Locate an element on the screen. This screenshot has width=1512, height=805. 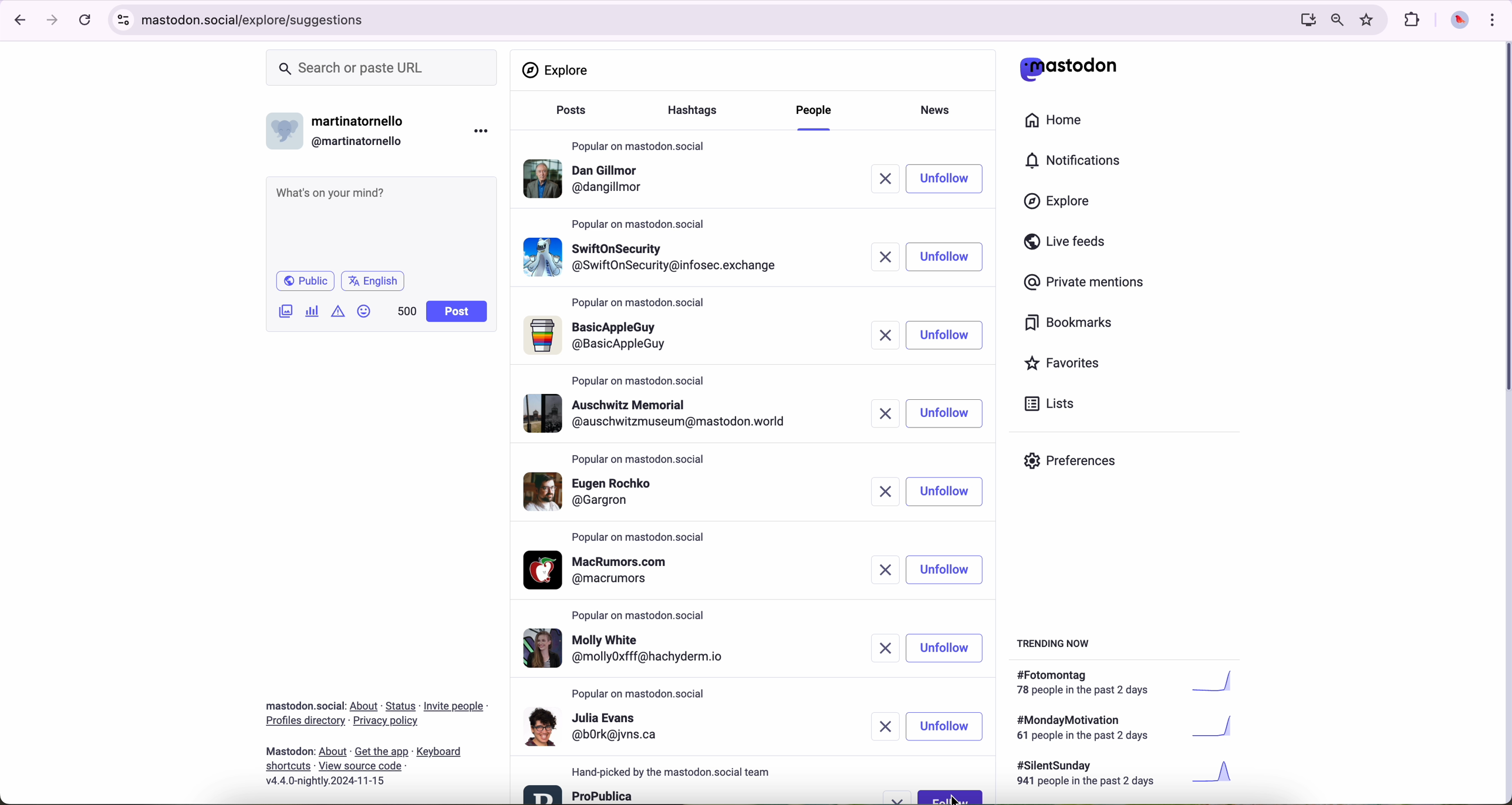
#fotomontag is located at coordinates (1133, 683).